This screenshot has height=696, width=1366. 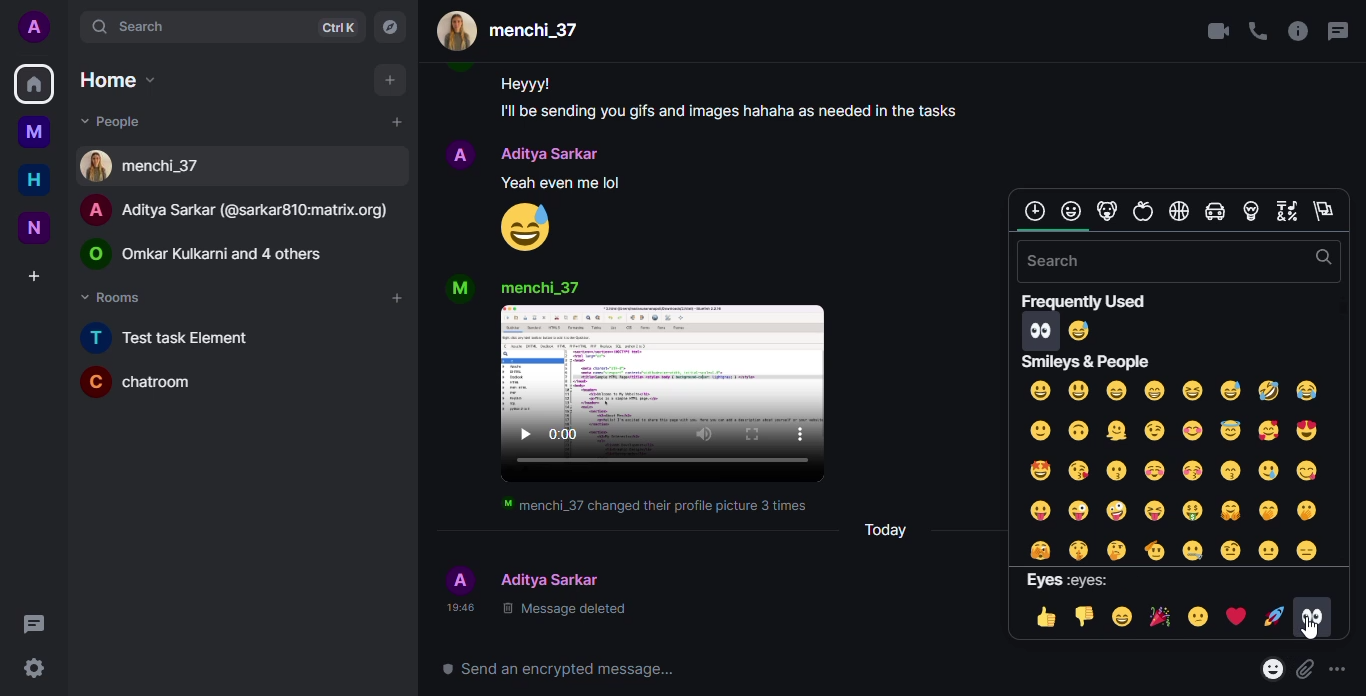 I want to click on navigator, so click(x=389, y=27).